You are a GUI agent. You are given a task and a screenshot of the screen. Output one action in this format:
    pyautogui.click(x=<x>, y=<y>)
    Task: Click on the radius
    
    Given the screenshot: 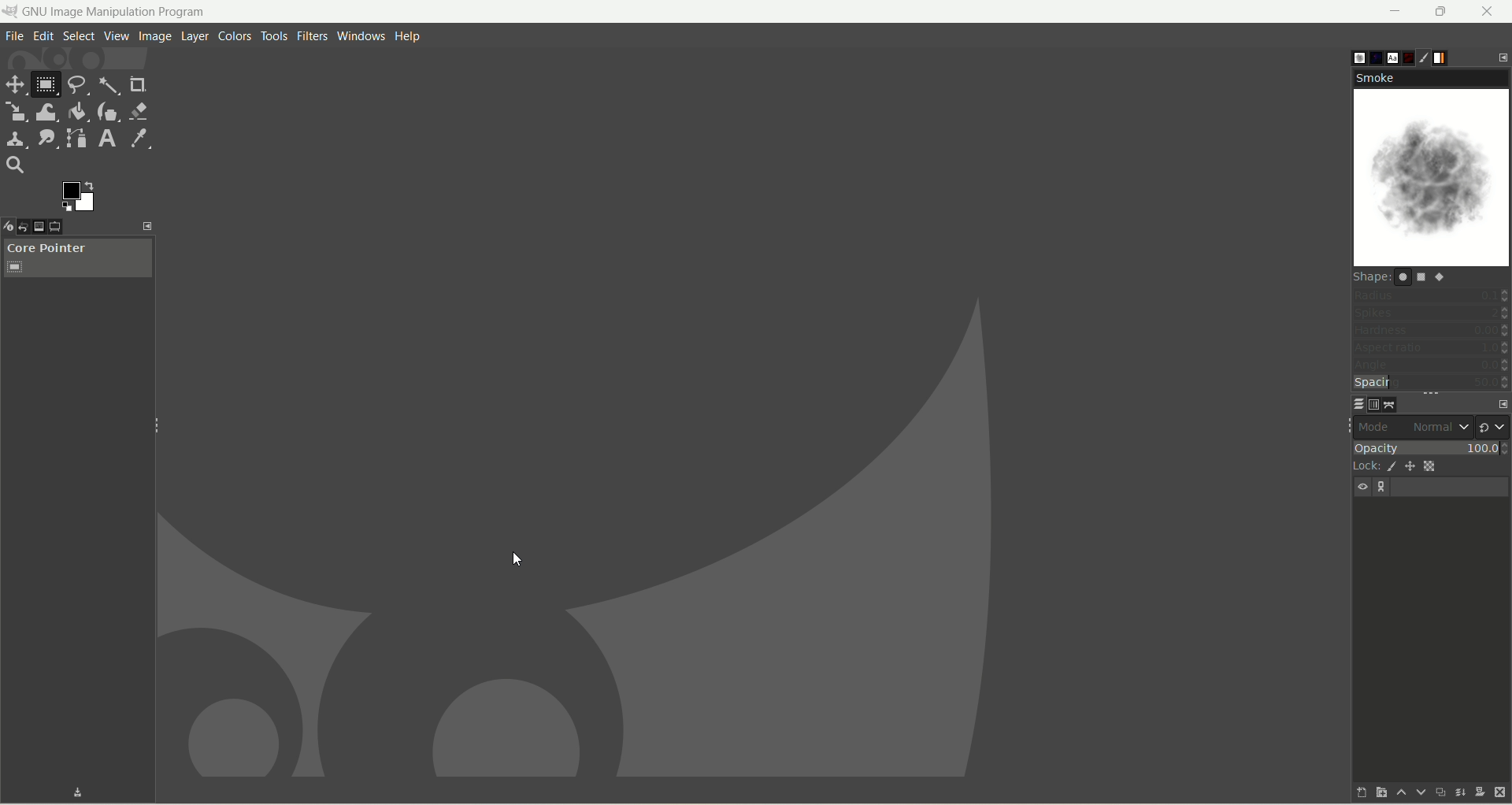 What is the action you would take?
    pyautogui.click(x=1432, y=295)
    